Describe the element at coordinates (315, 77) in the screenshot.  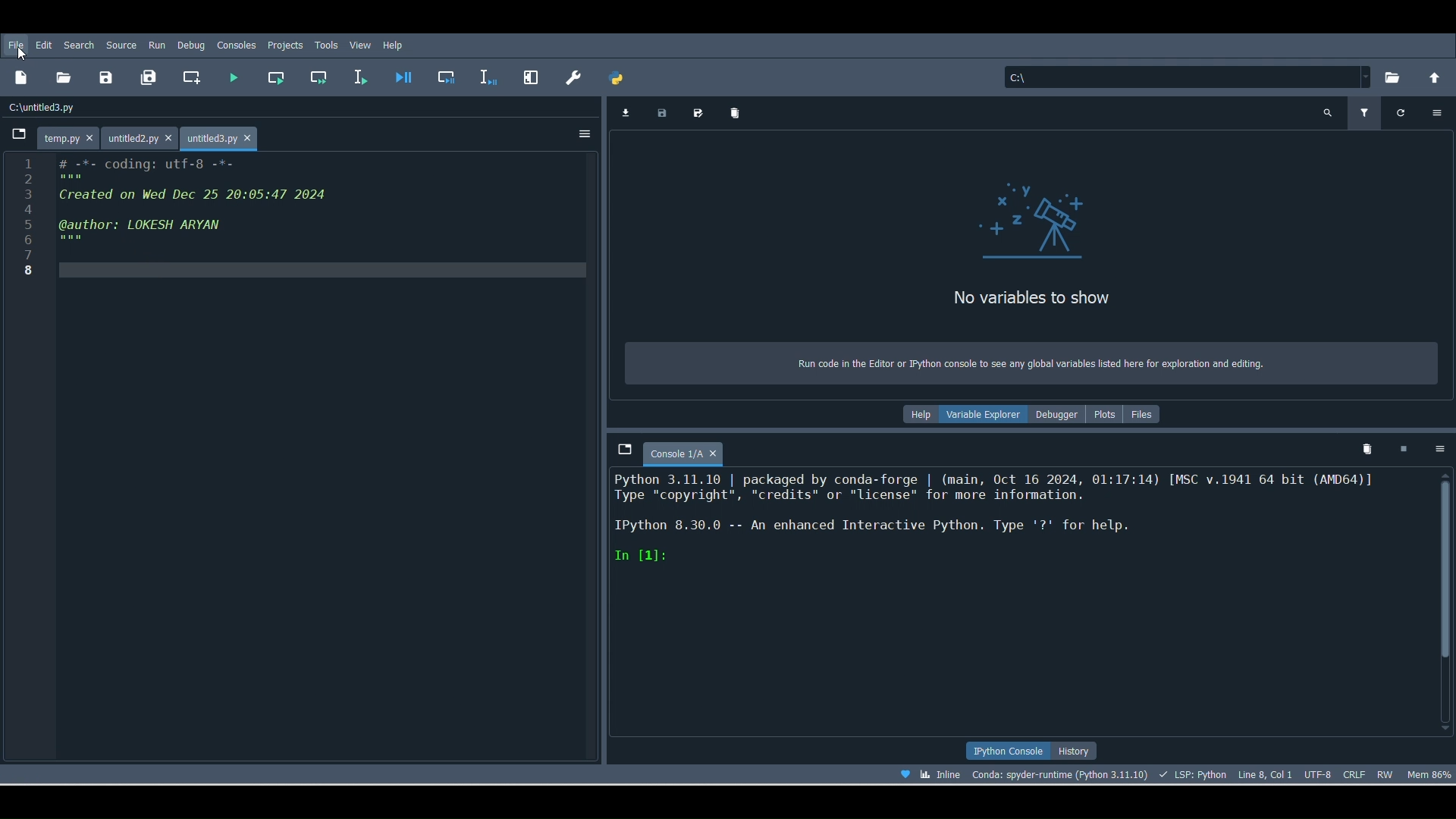
I see `Run current cell and go to the next one (Shift + Return)` at that location.